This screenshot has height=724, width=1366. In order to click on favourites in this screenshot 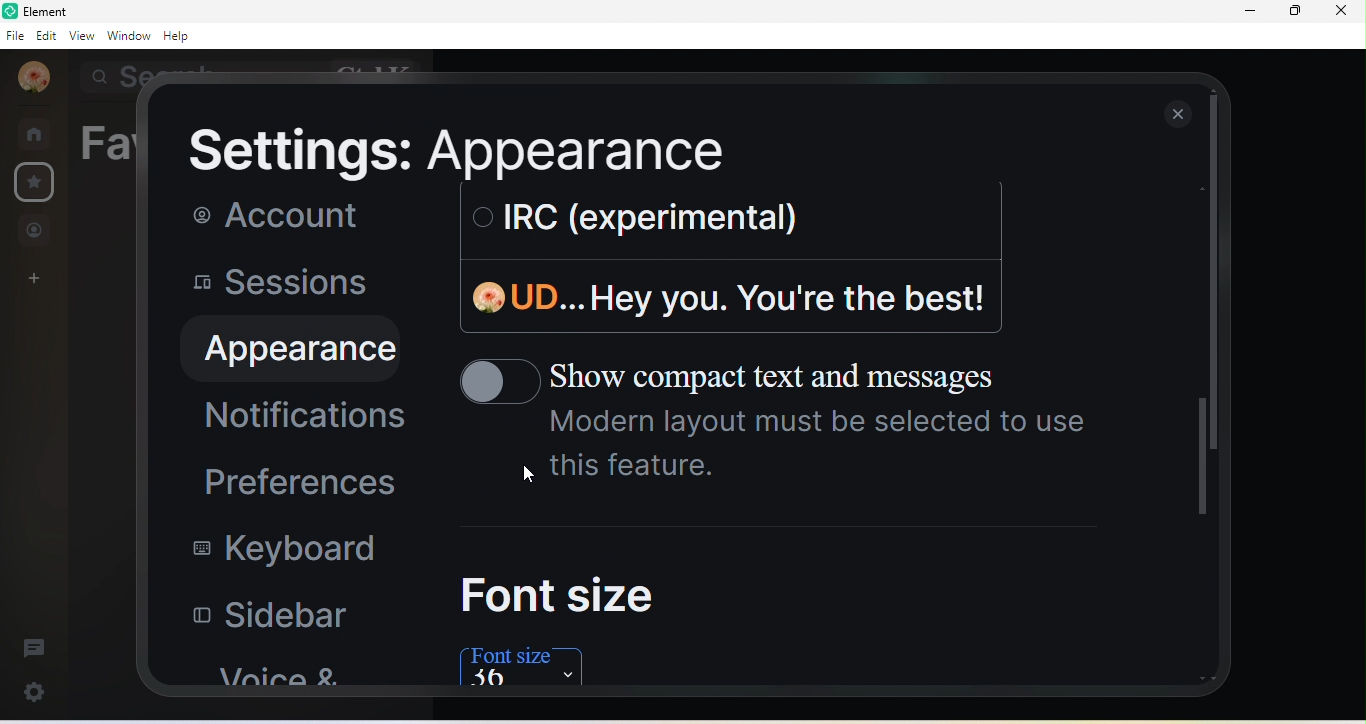, I will do `click(37, 185)`.